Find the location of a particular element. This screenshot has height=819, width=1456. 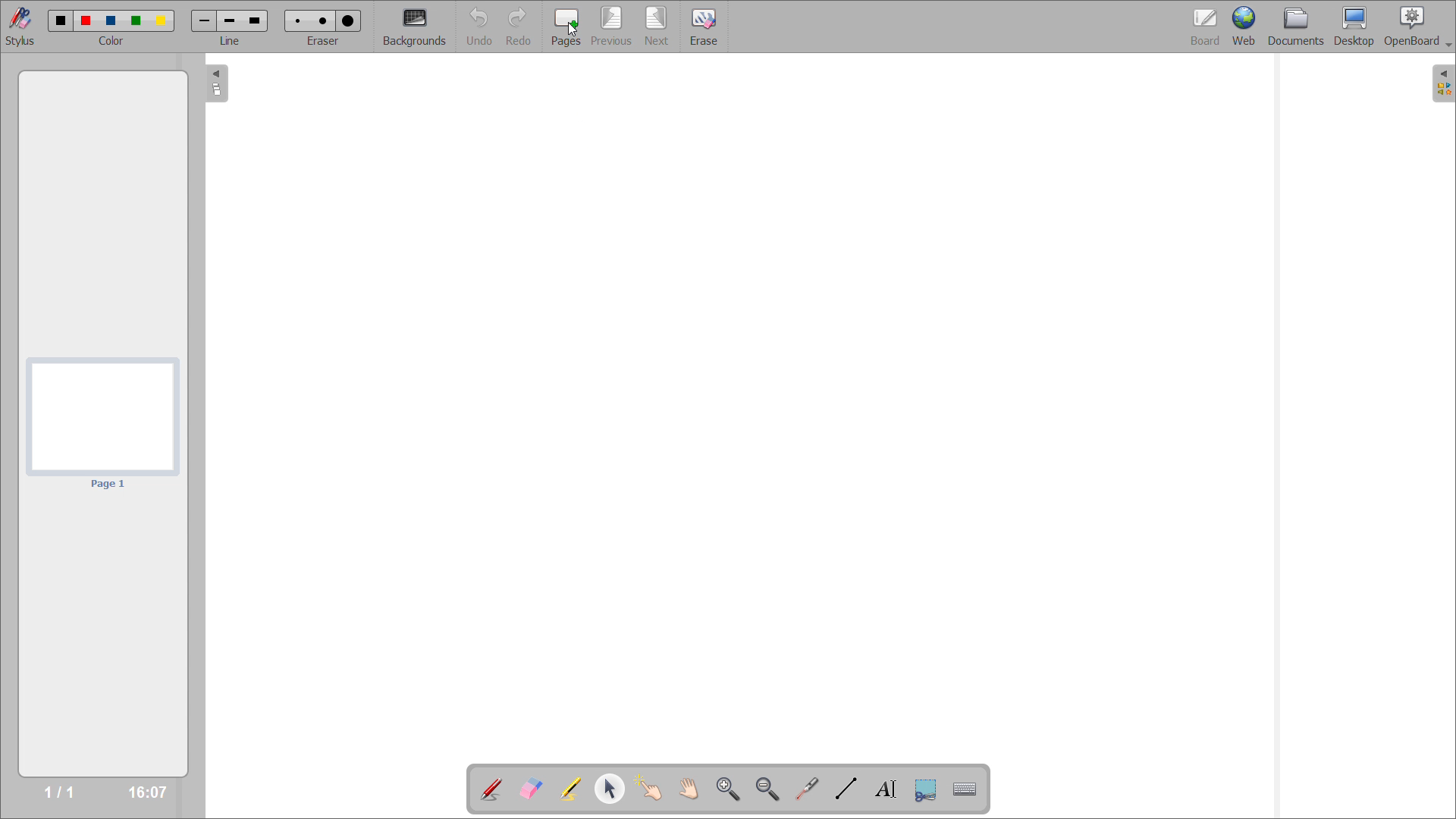

zoom in is located at coordinates (730, 789).